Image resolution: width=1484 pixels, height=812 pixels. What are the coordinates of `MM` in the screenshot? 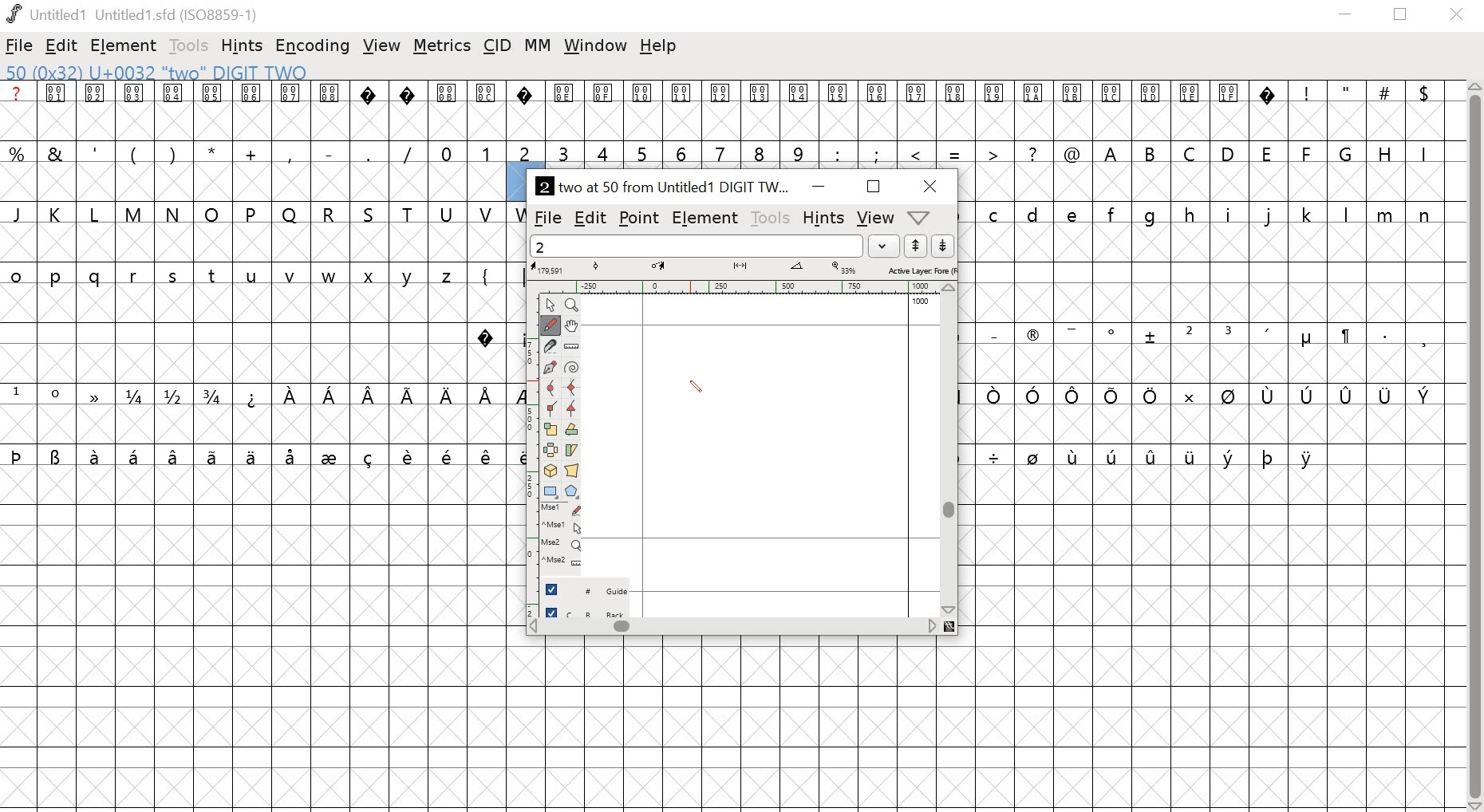 It's located at (535, 47).